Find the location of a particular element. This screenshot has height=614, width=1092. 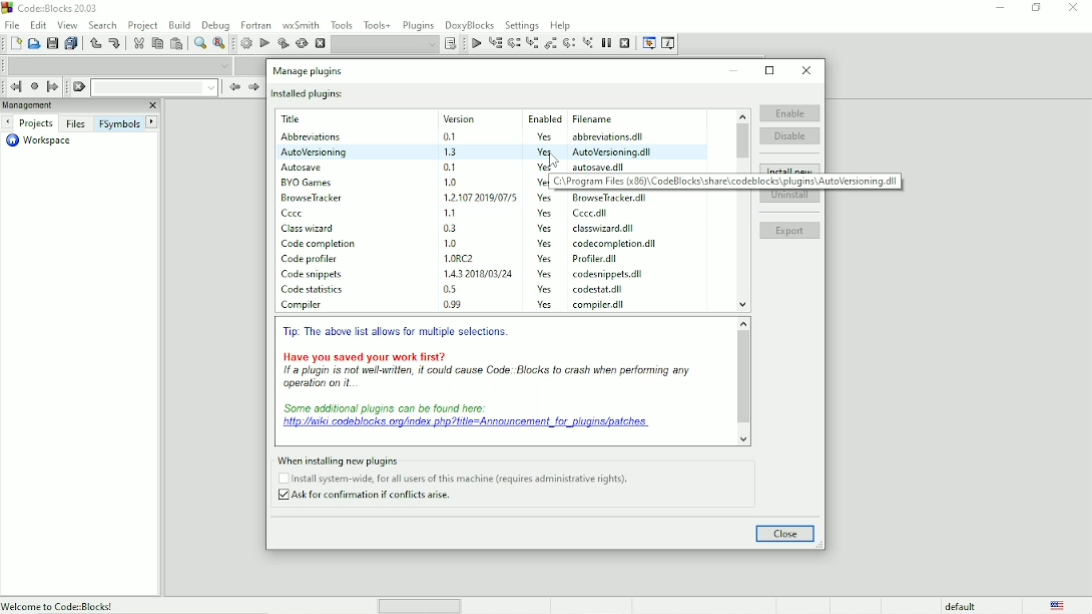

Build is located at coordinates (246, 43).